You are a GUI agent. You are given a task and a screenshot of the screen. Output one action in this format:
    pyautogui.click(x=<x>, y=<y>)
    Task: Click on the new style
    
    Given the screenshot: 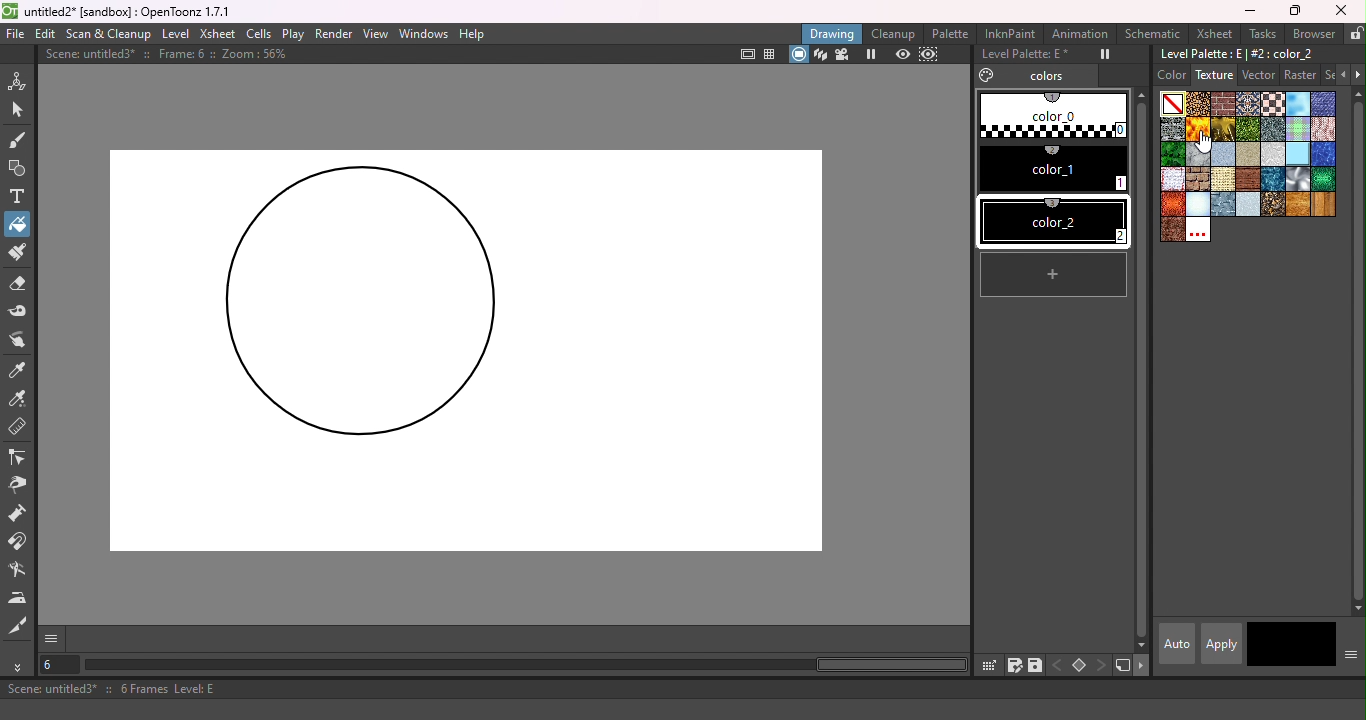 What is the action you would take?
    pyautogui.click(x=1054, y=274)
    